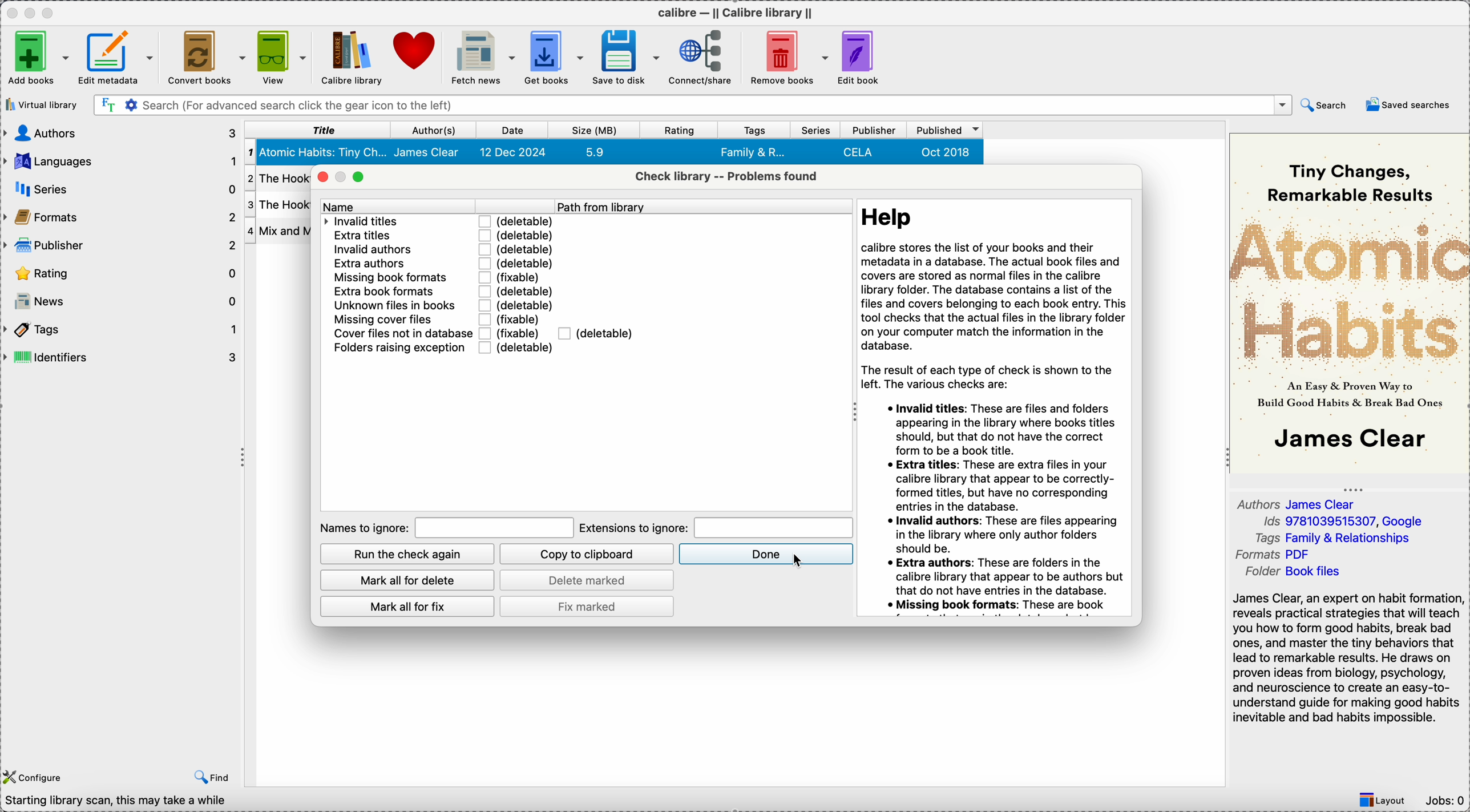 This screenshot has height=812, width=1470. What do you see at coordinates (401, 334) in the screenshot?
I see `cover files not in database` at bounding box center [401, 334].